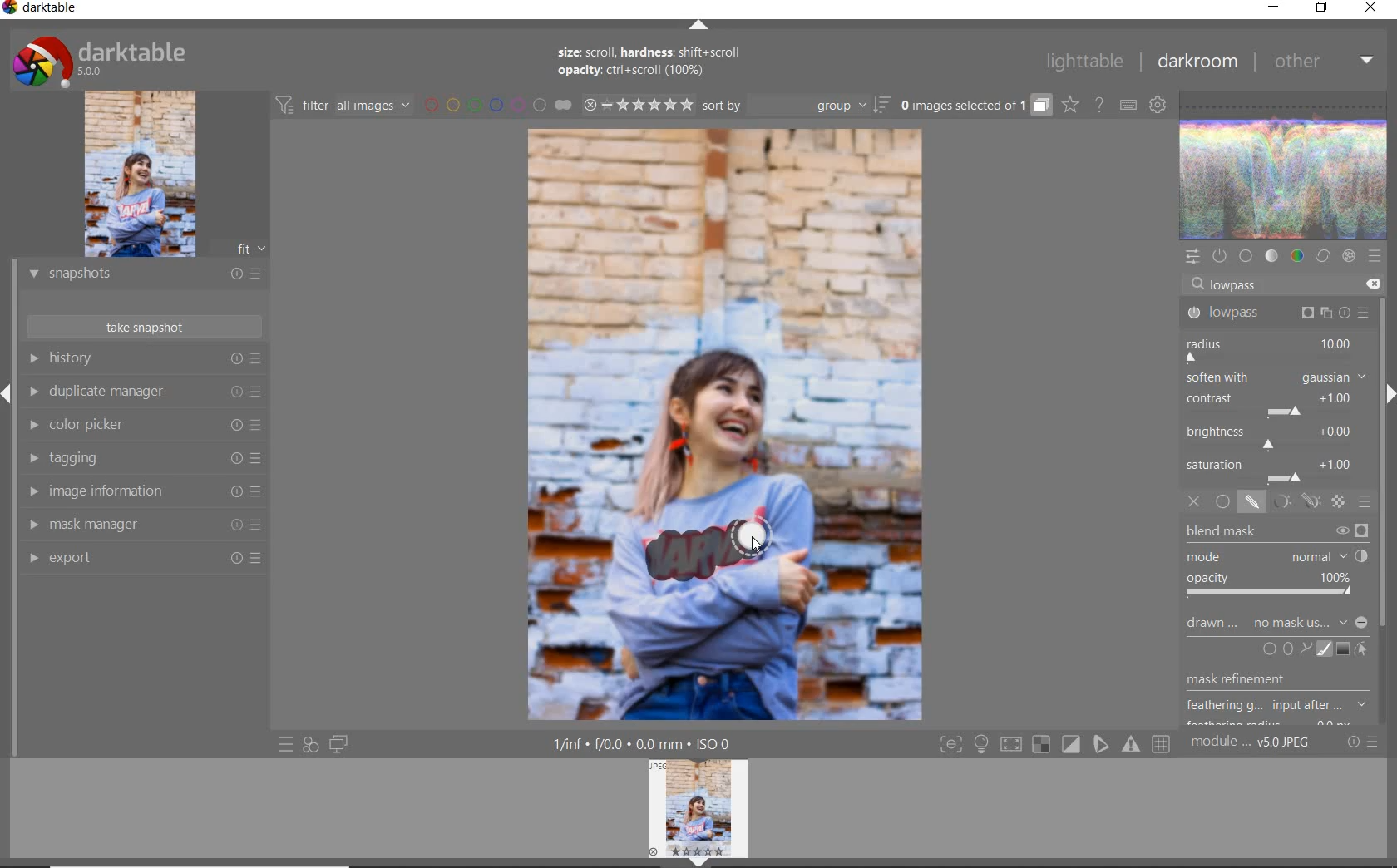  What do you see at coordinates (1310, 624) in the screenshot?
I see `no mask` at bounding box center [1310, 624].